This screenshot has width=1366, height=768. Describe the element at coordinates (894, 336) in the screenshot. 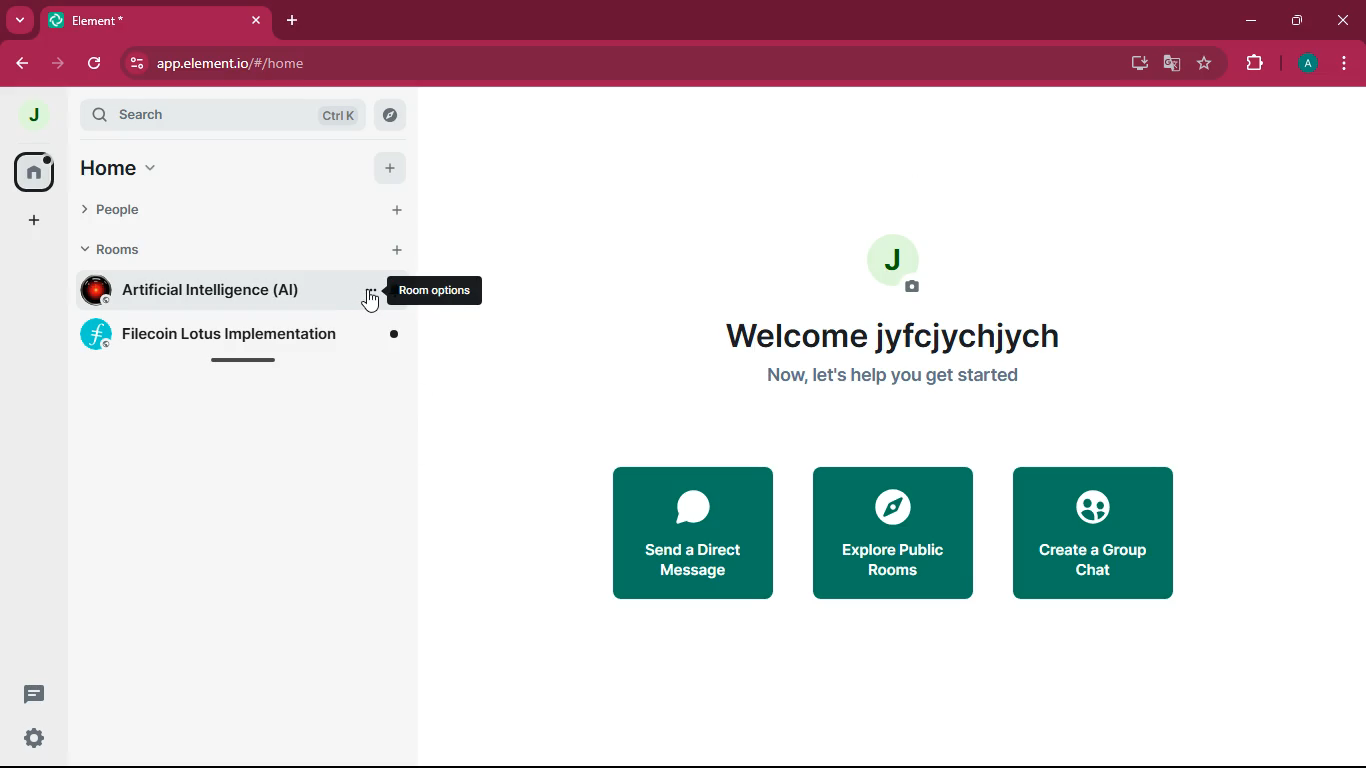

I see `welcome` at that location.